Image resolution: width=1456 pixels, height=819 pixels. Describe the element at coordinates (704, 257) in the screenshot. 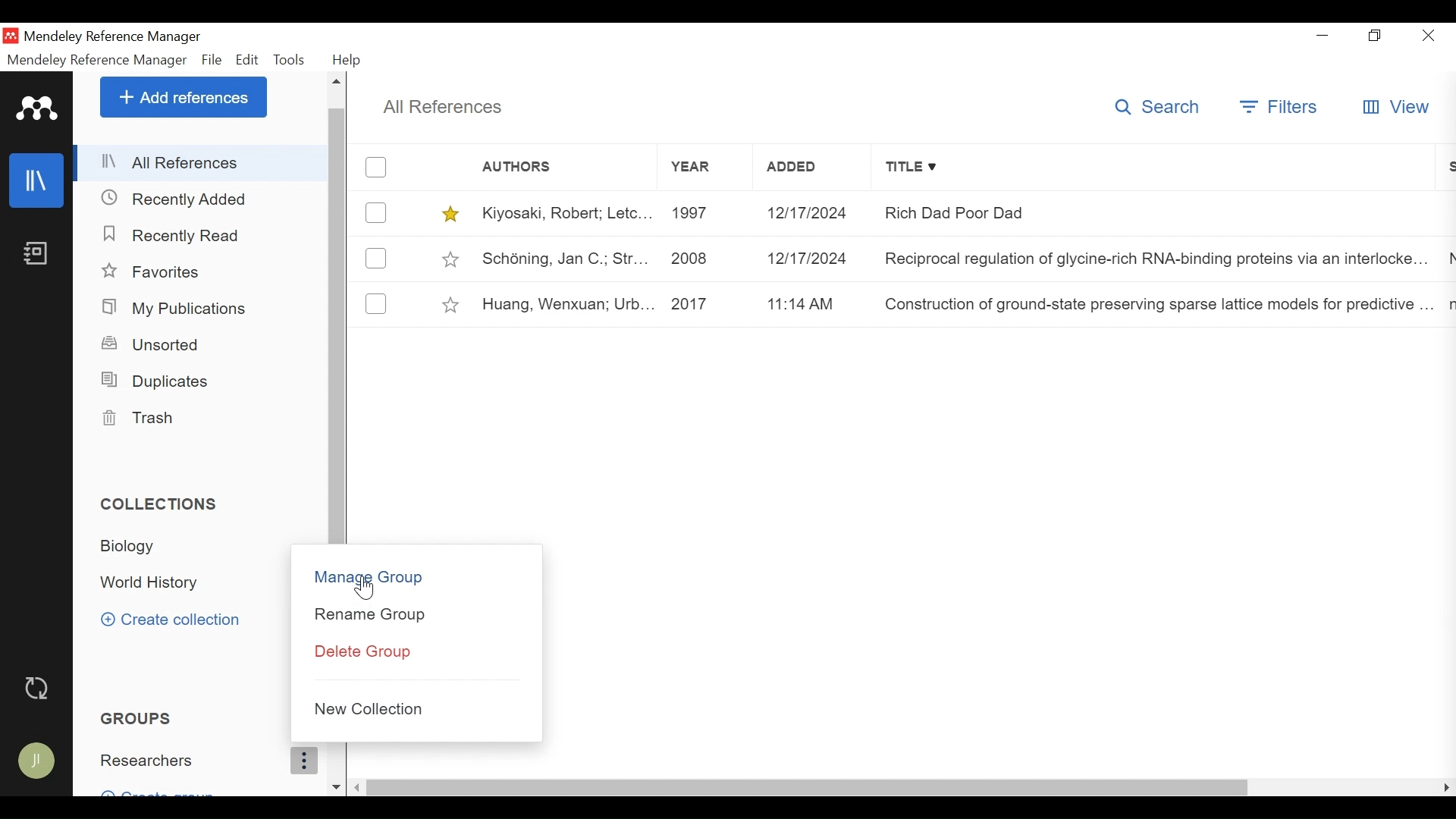

I see `2008` at that location.